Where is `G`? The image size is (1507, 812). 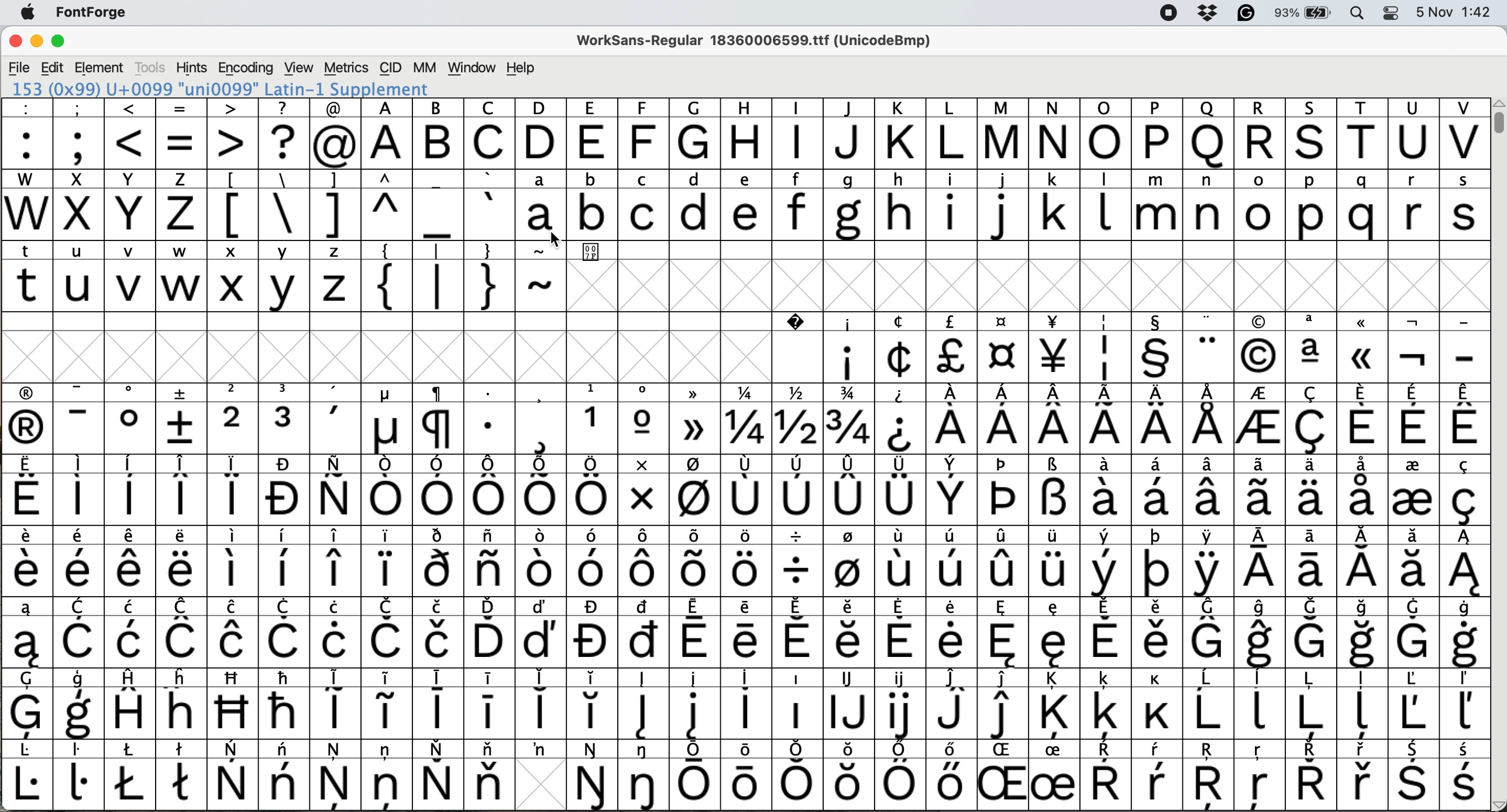
G is located at coordinates (696, 133).